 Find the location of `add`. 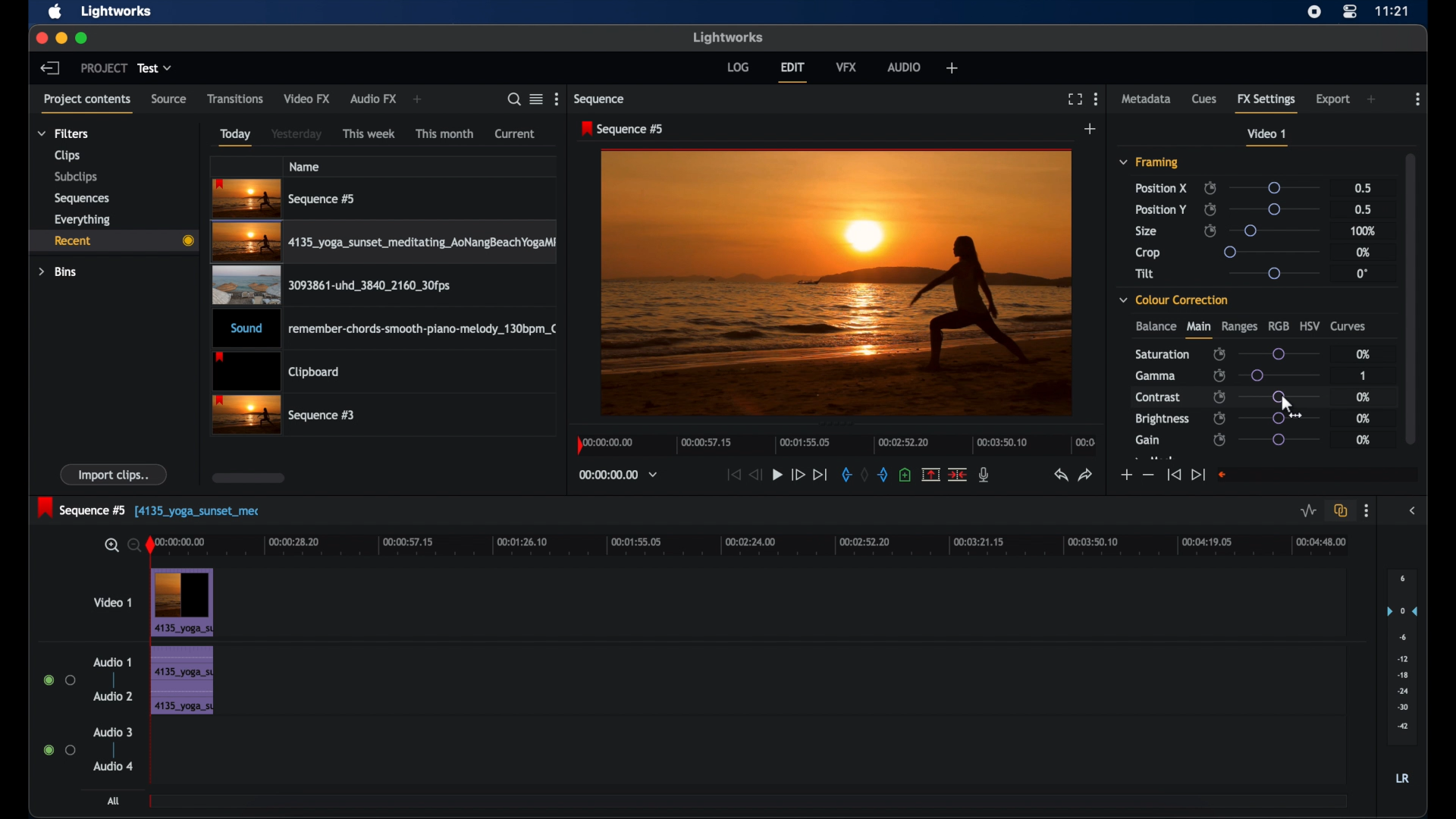

add is located at coordinates (952, 67).